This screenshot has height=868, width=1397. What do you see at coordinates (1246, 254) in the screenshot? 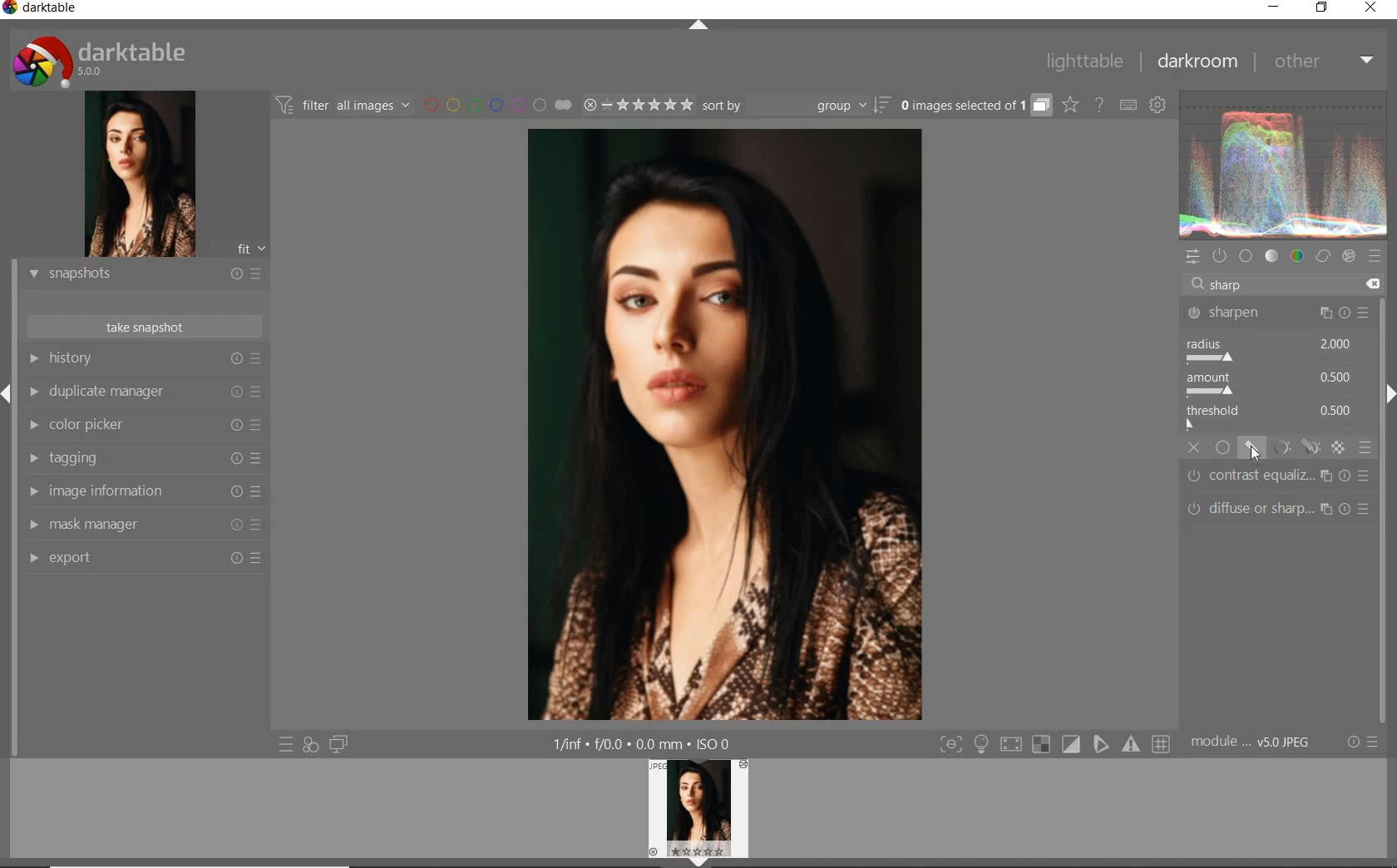
I see `base` at bounding box center [1246, 254].